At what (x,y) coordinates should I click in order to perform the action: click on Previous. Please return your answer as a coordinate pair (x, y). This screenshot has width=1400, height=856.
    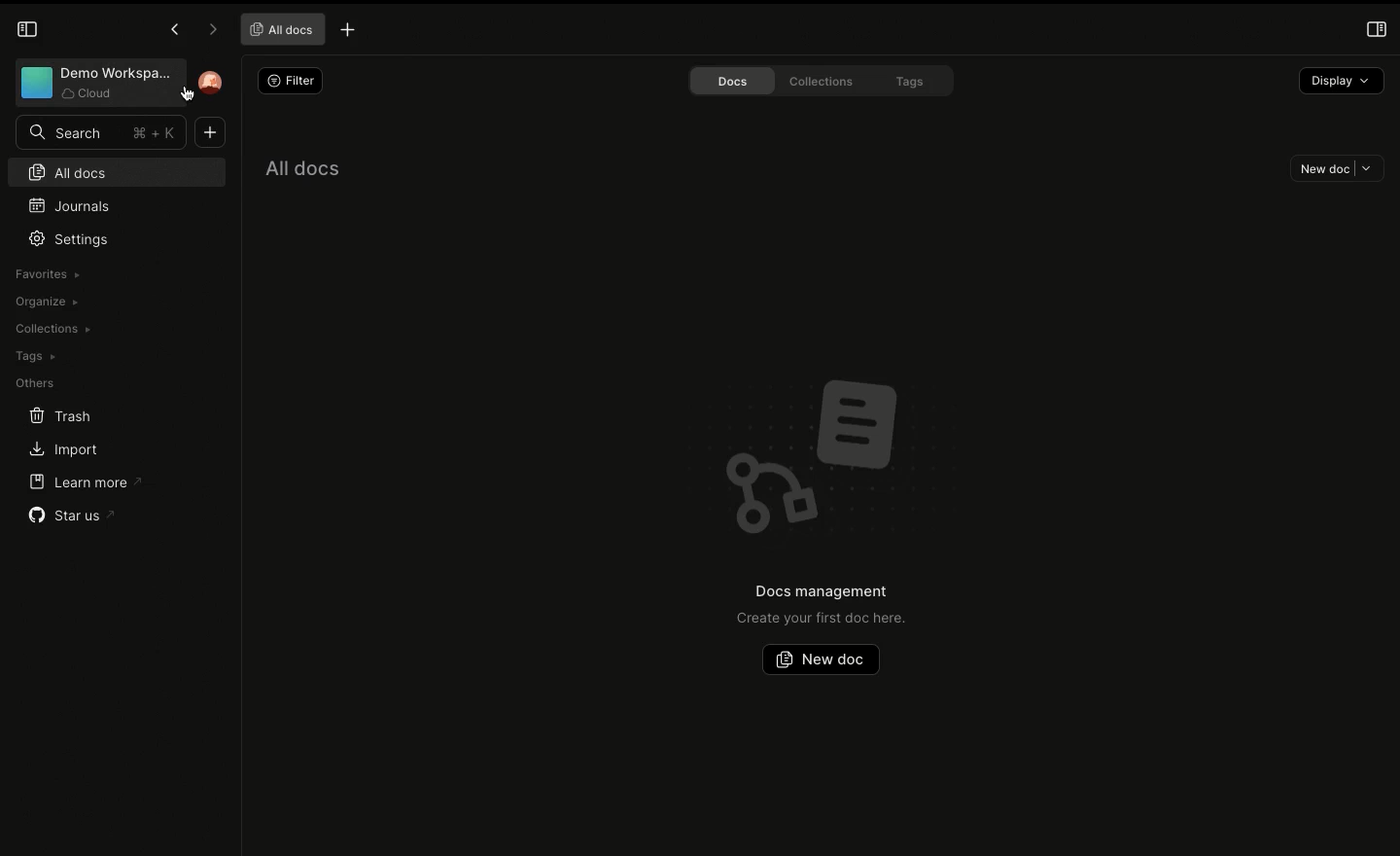
    Looking at the image, I should click on (172, 32).